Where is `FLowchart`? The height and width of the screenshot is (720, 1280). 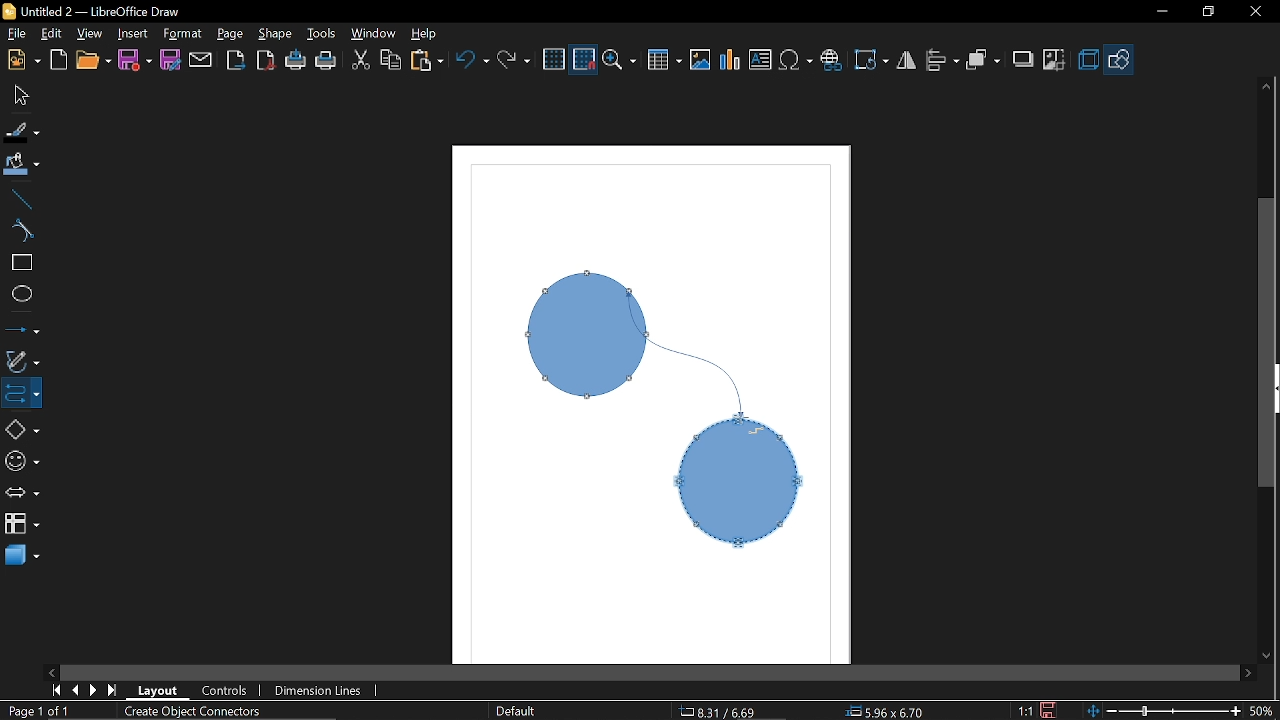
FLowchart is located at coordinates (22, 525).